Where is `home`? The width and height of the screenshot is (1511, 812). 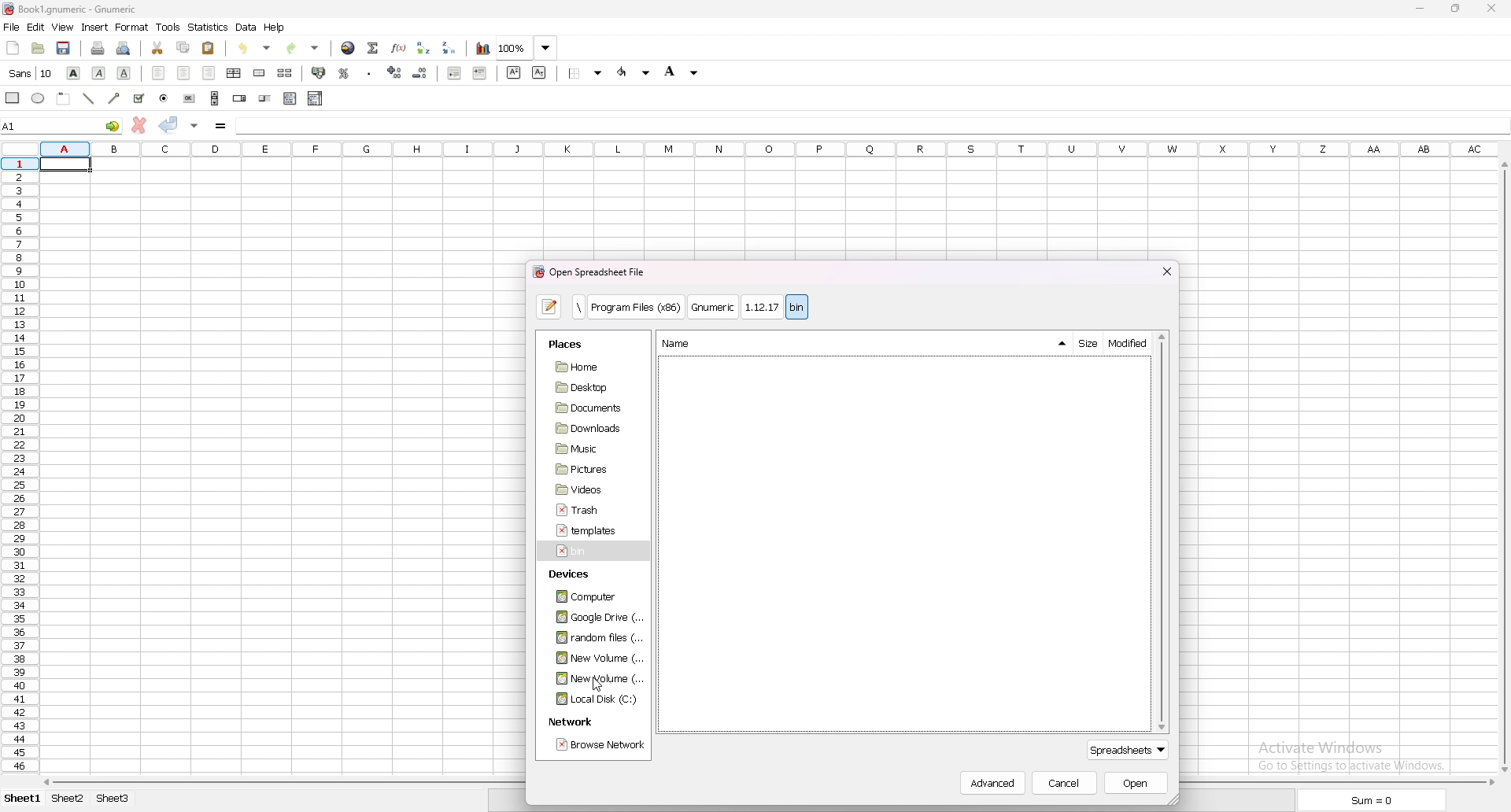 home is located at coordinates (591, 367).